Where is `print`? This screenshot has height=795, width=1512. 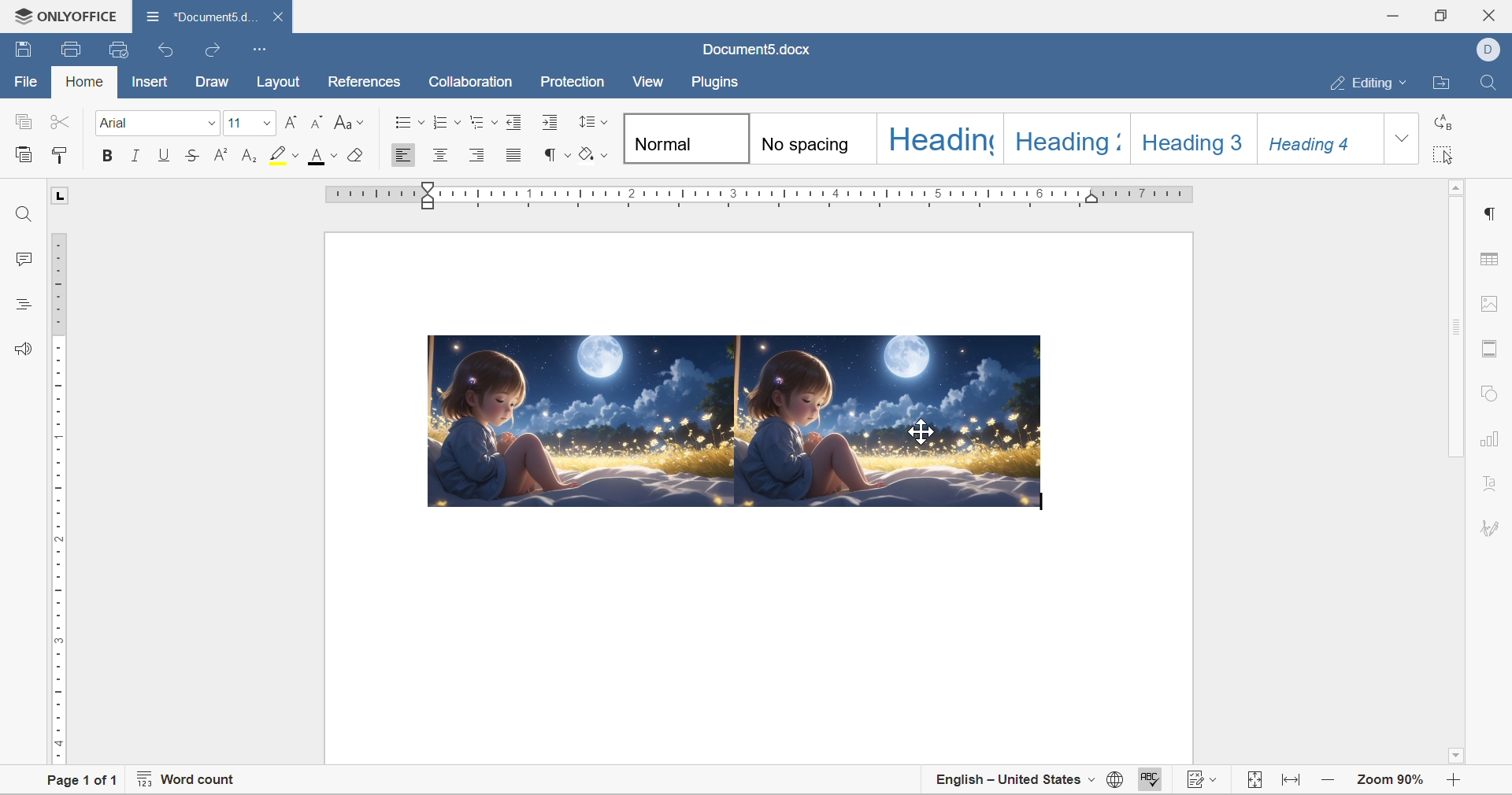 print is located at coordinates (69, 52).